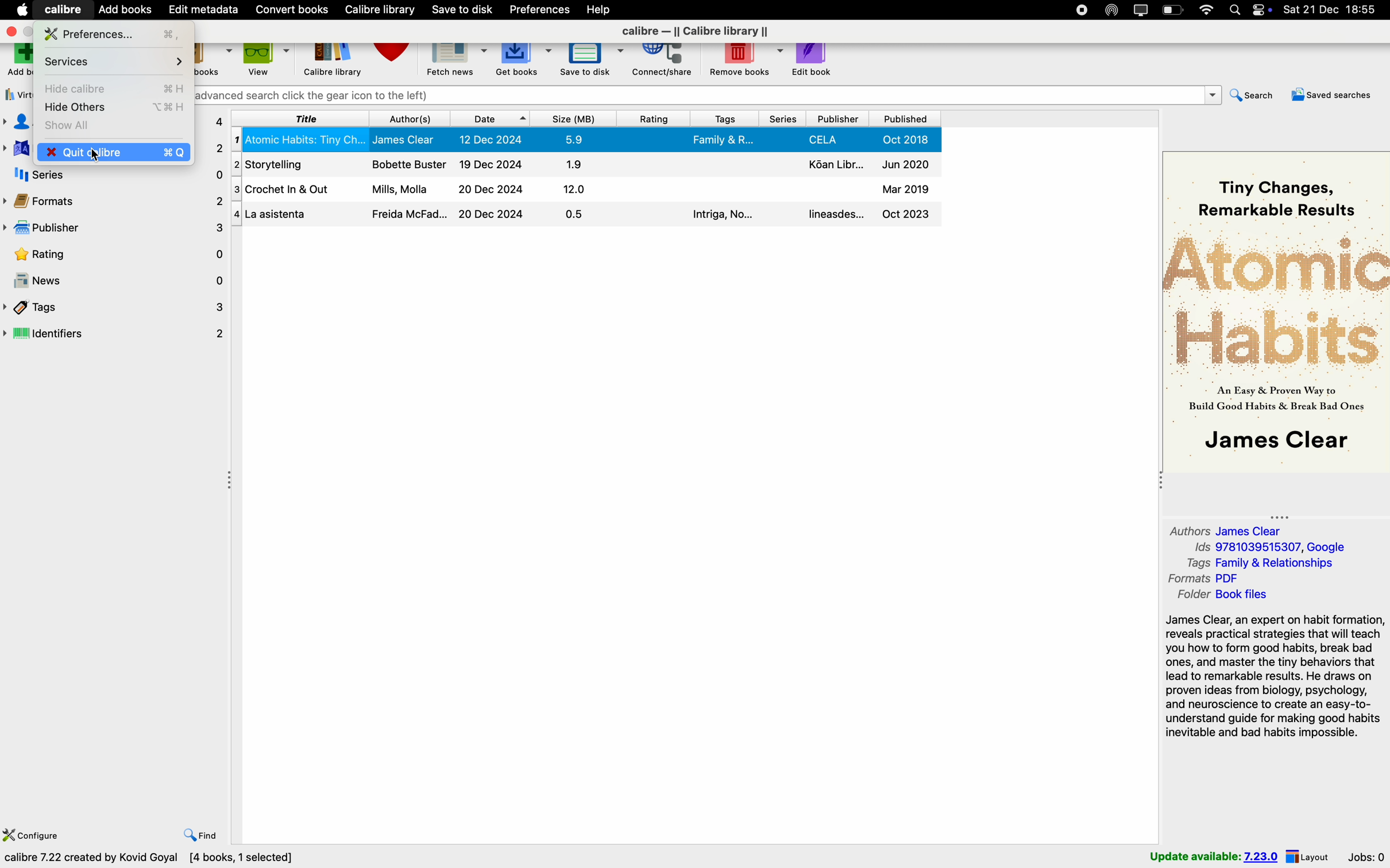 The width and height of the screenshot is (1390, 868). What do you see at coordinates (145, 153) in the screenshot?
I see `quit calibre` at bounding box center [145, 153].